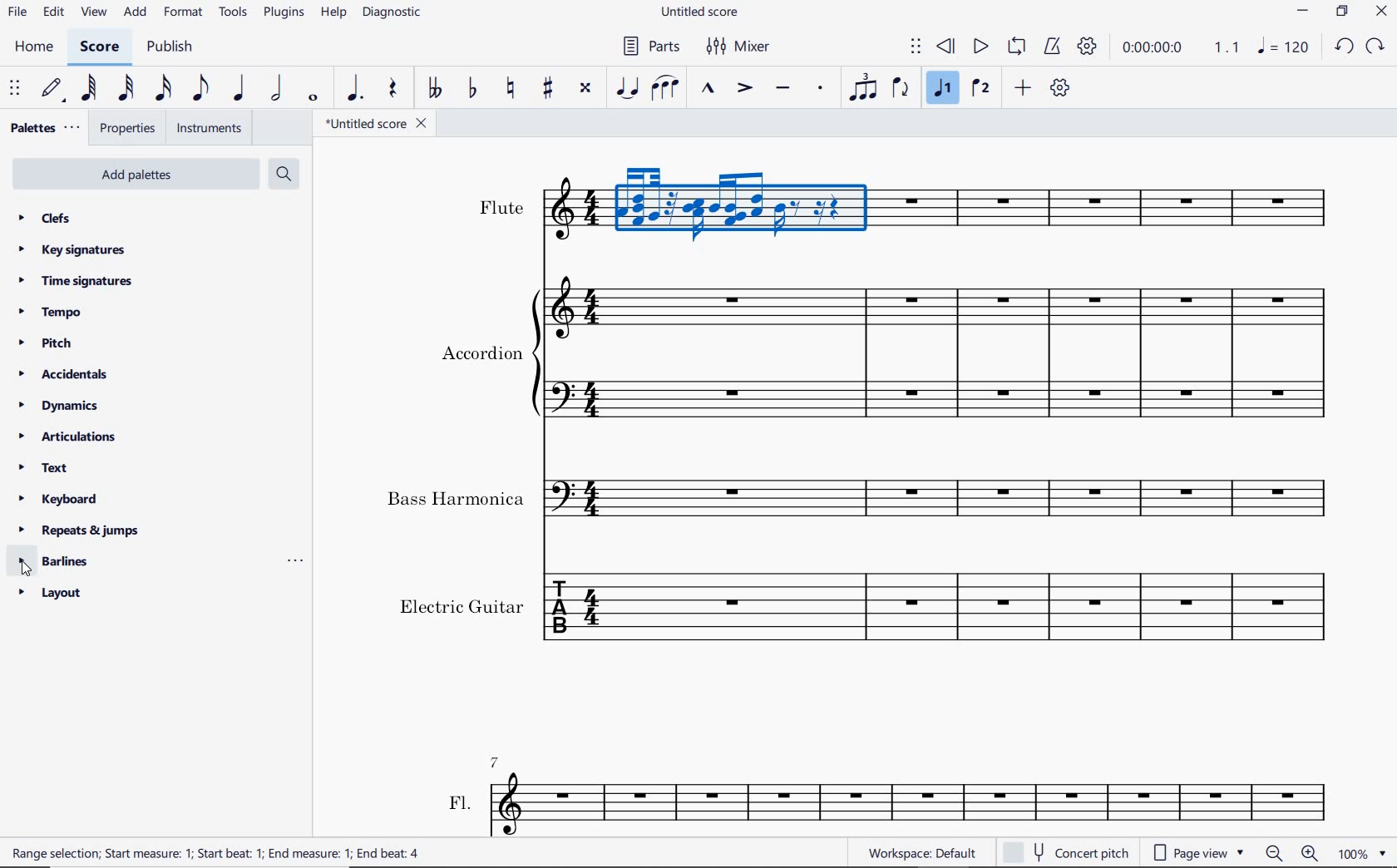 The height and width of the screenshot is (868, 1397). Describe the element at coordinates (481, 352) in the screenshot. I see `text` at that location.